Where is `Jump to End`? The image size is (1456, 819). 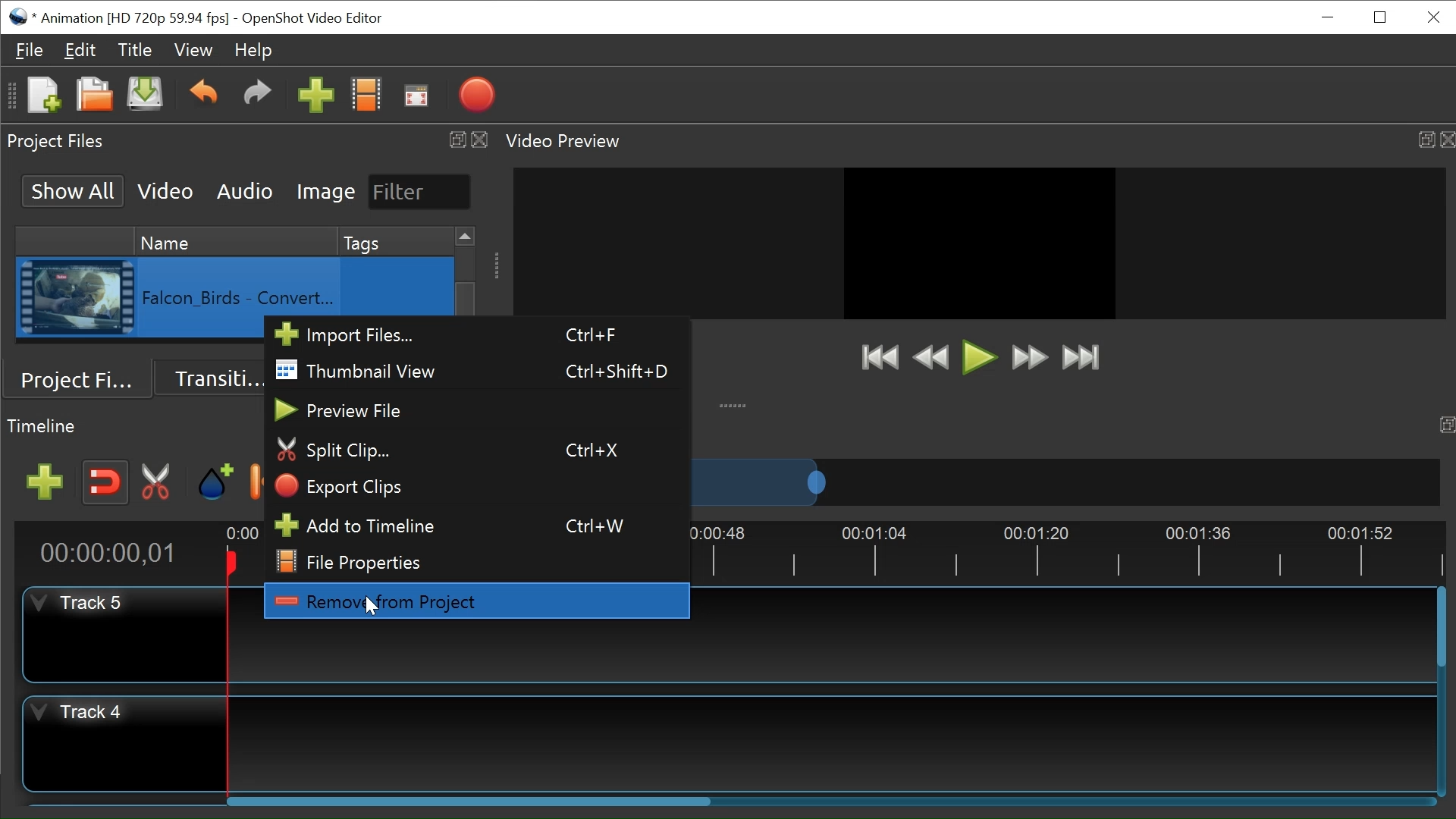 Jump to End is located at coordinates (1081, 358).